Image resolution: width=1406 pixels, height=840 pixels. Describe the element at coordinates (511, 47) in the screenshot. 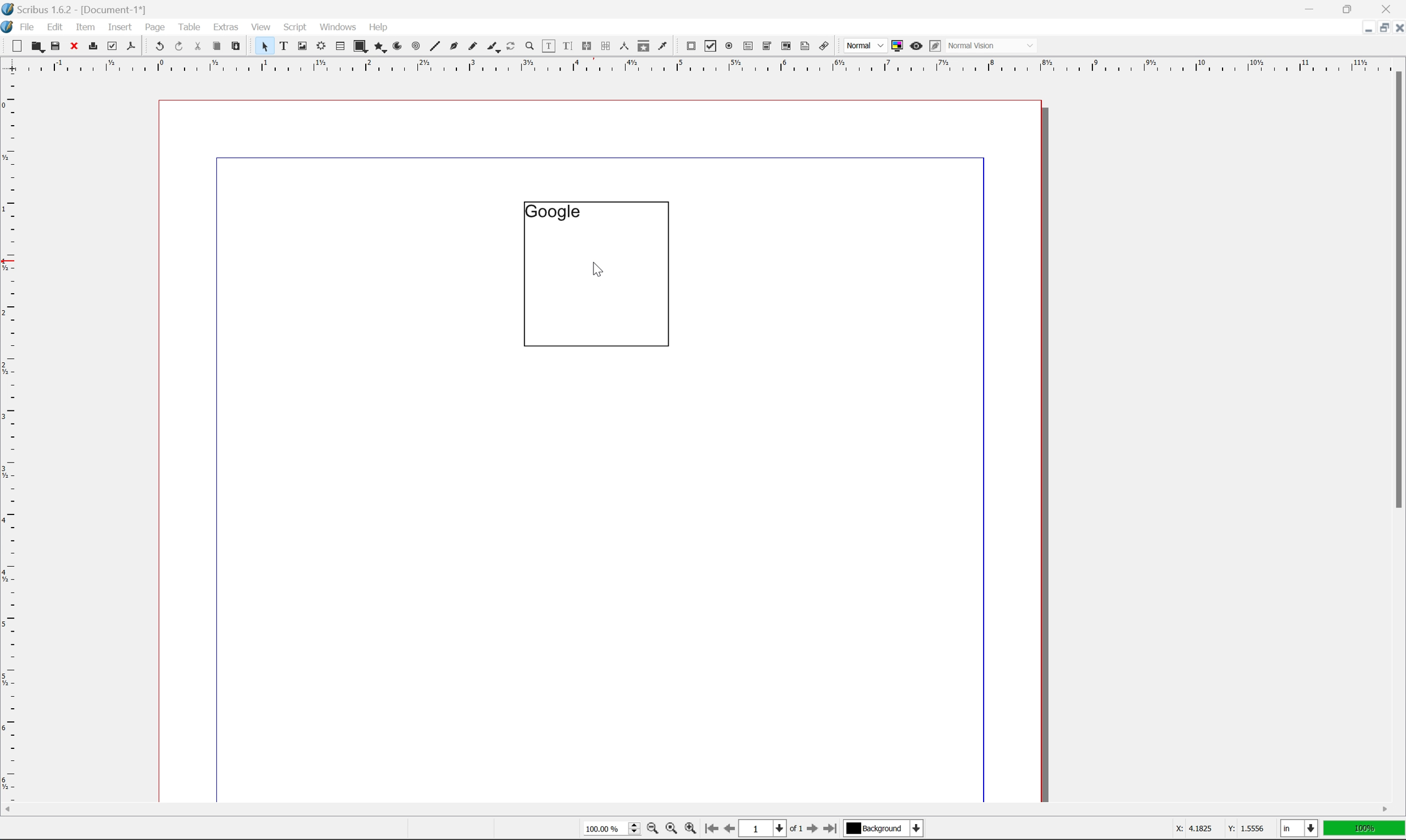

I see `rotate item` at that location.